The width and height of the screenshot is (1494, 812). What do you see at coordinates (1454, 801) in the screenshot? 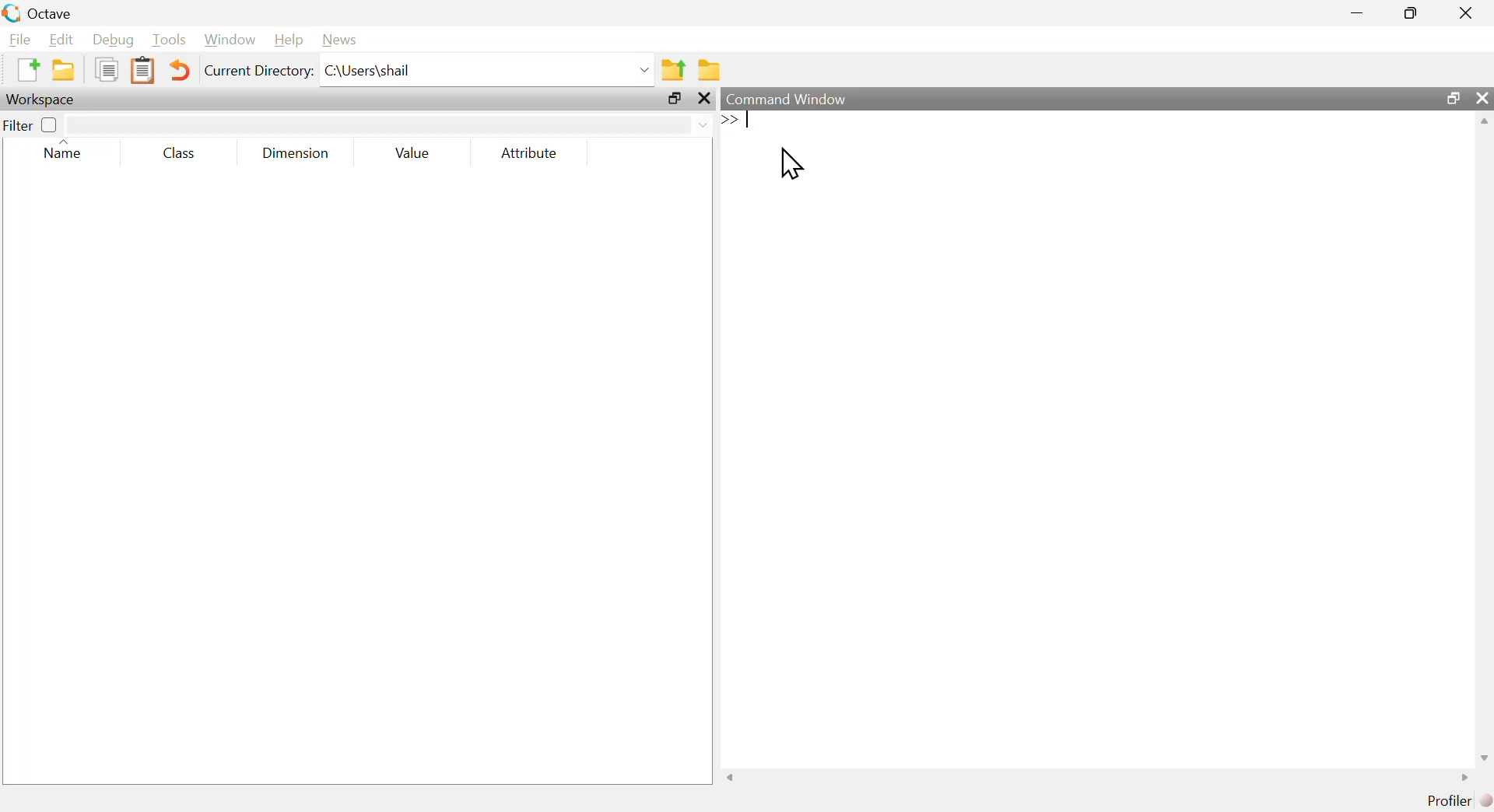
I see `profiler` at bounding box center [1454, 801].